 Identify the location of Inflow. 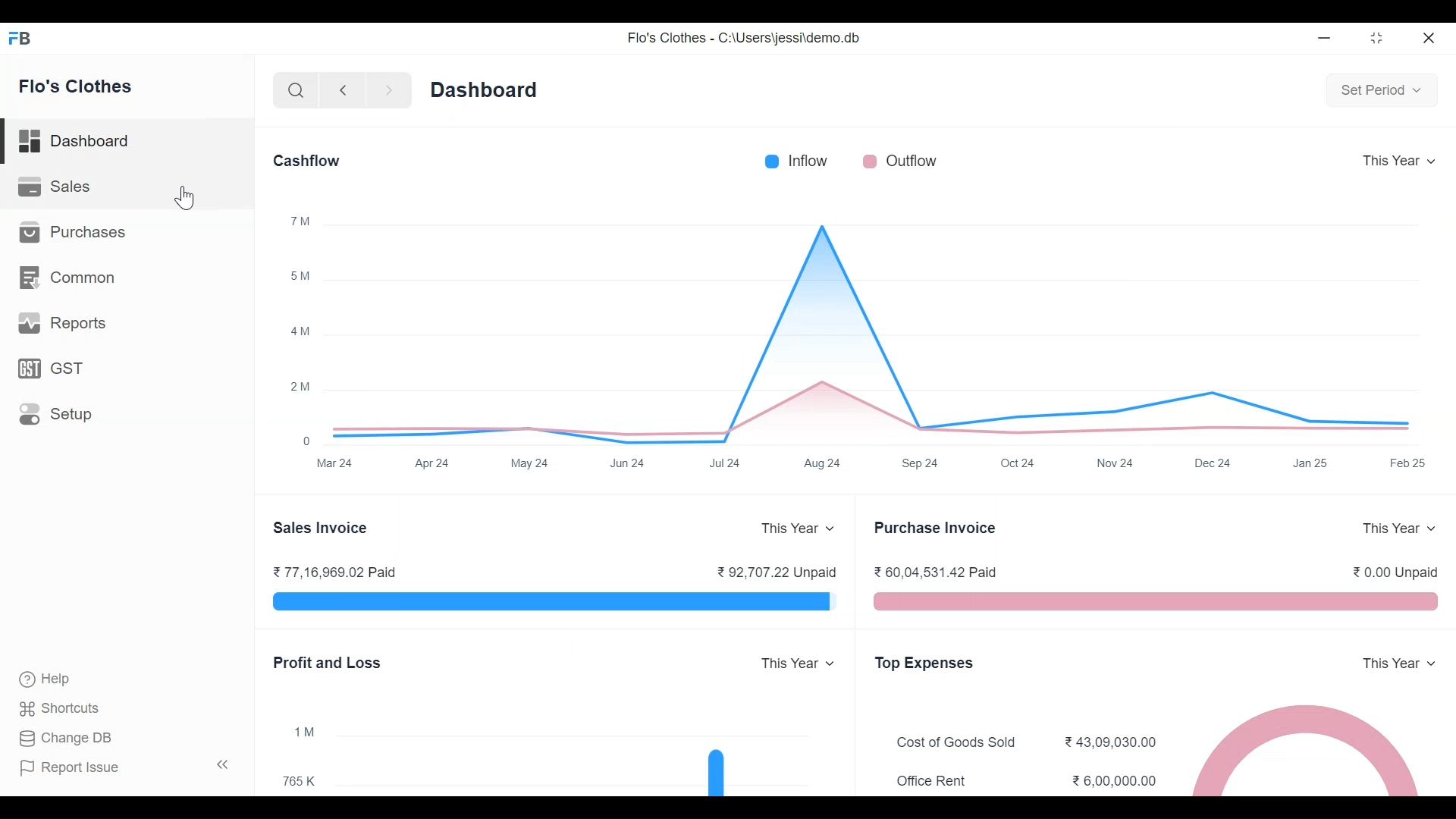
(808, 162).